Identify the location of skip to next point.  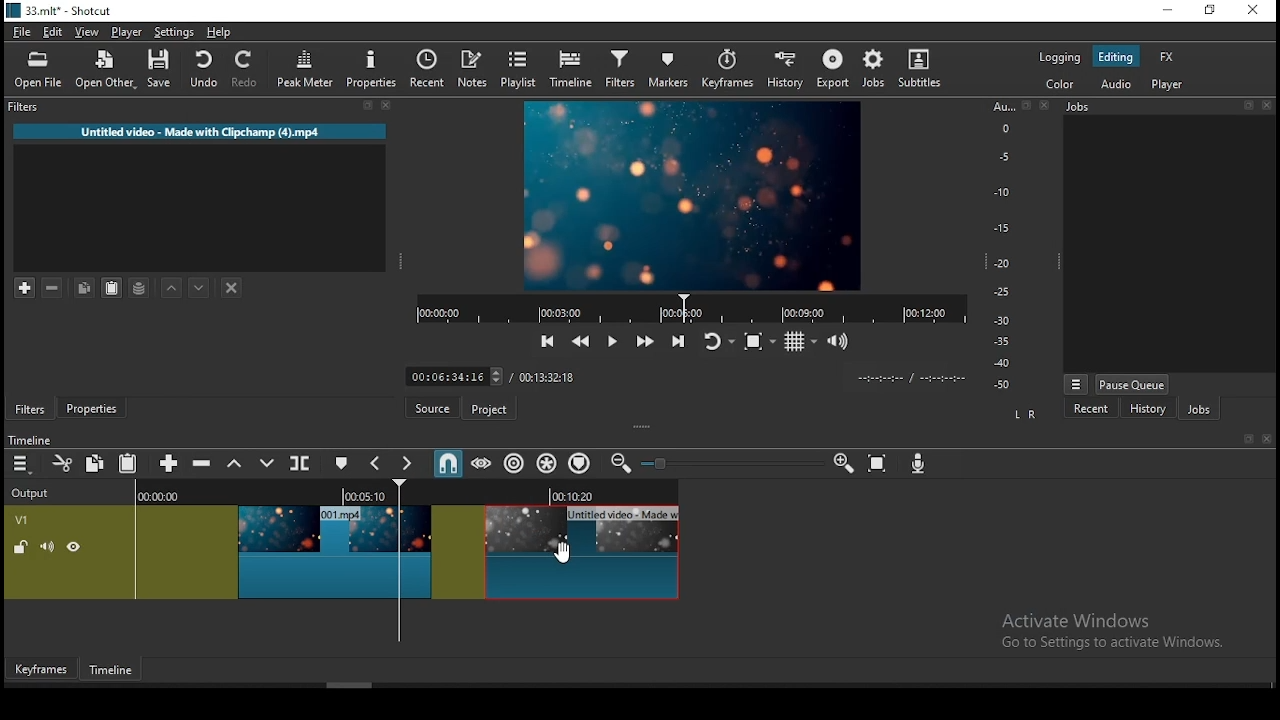
(675, 341).